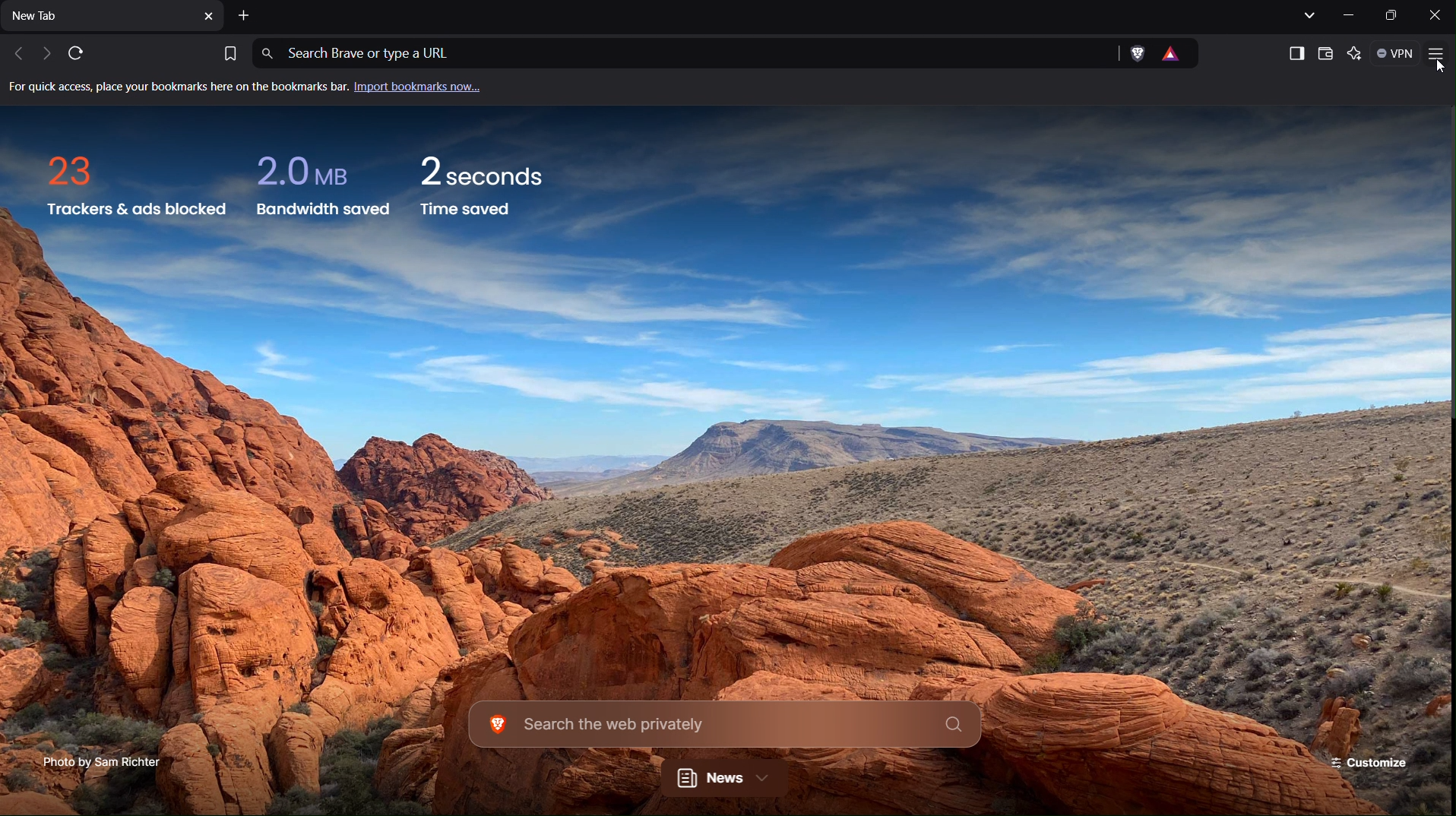 Image resolution: width=1456 pixels, height=816 pixels. Describe the element at coordinates (1296, 54) in the screenshot. I see `Show sidebar` at that location.